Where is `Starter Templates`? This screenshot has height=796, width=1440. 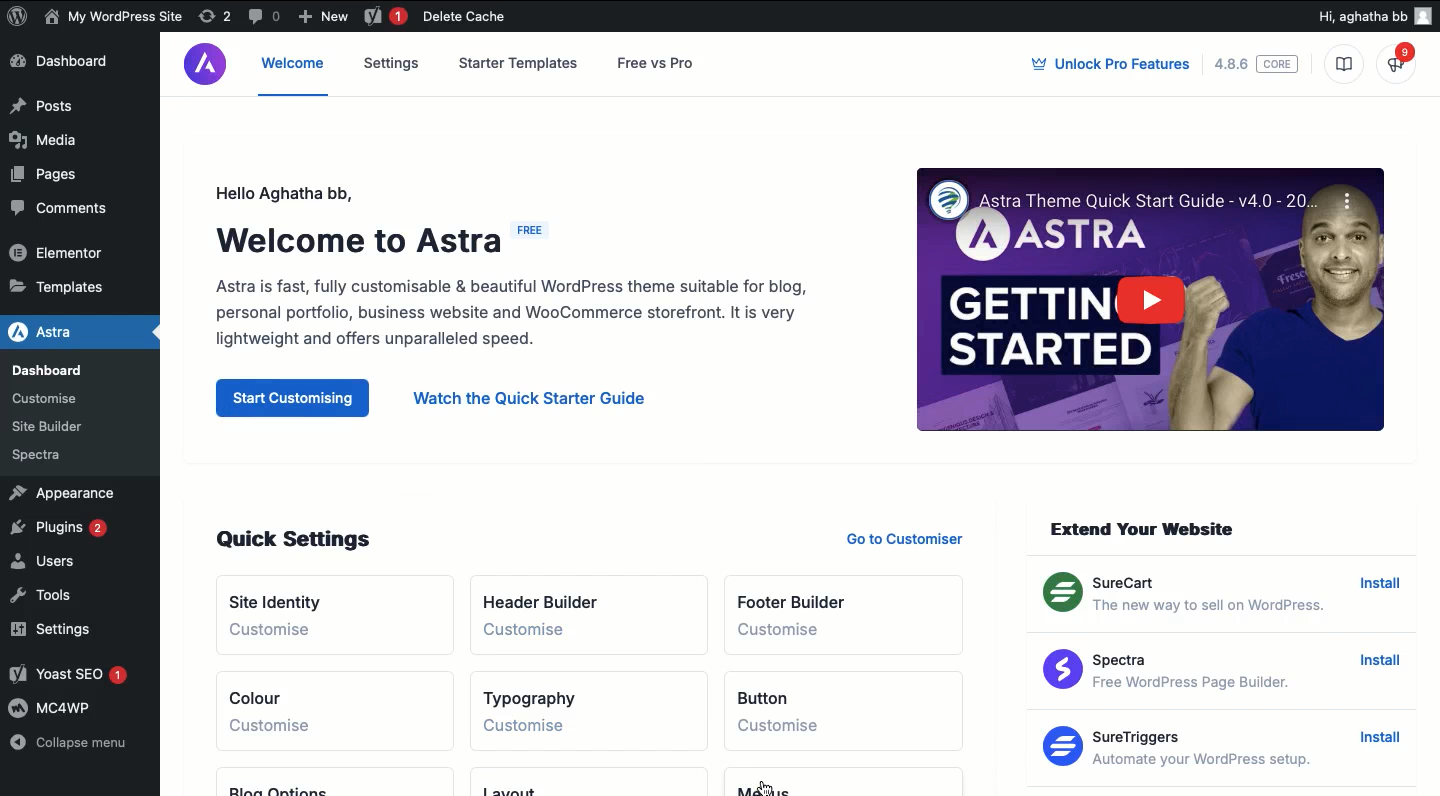
Starter Templates is located at coordinates (519, 62).